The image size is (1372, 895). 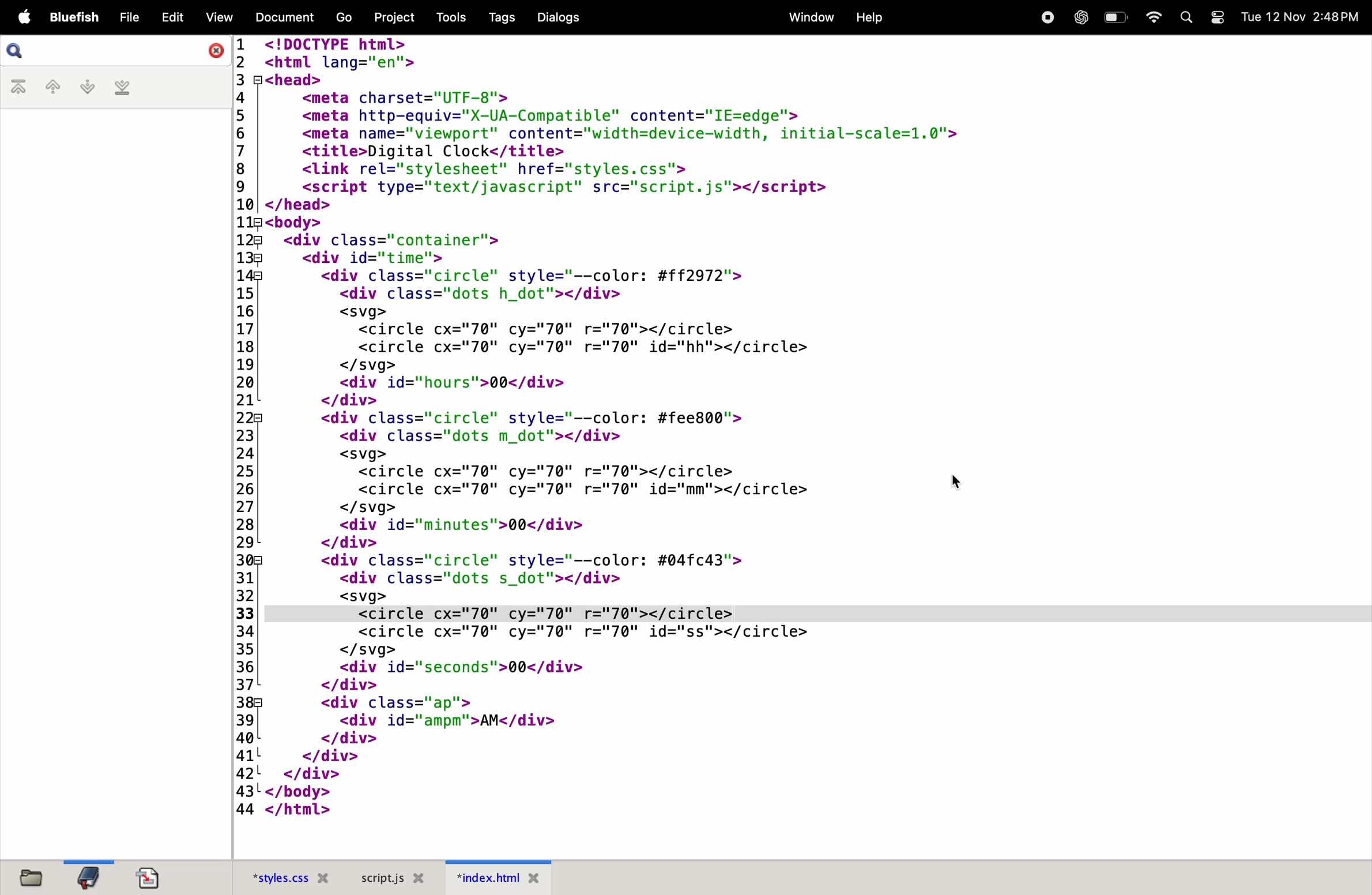 I want to click on tools, so click(x=450, y=17).